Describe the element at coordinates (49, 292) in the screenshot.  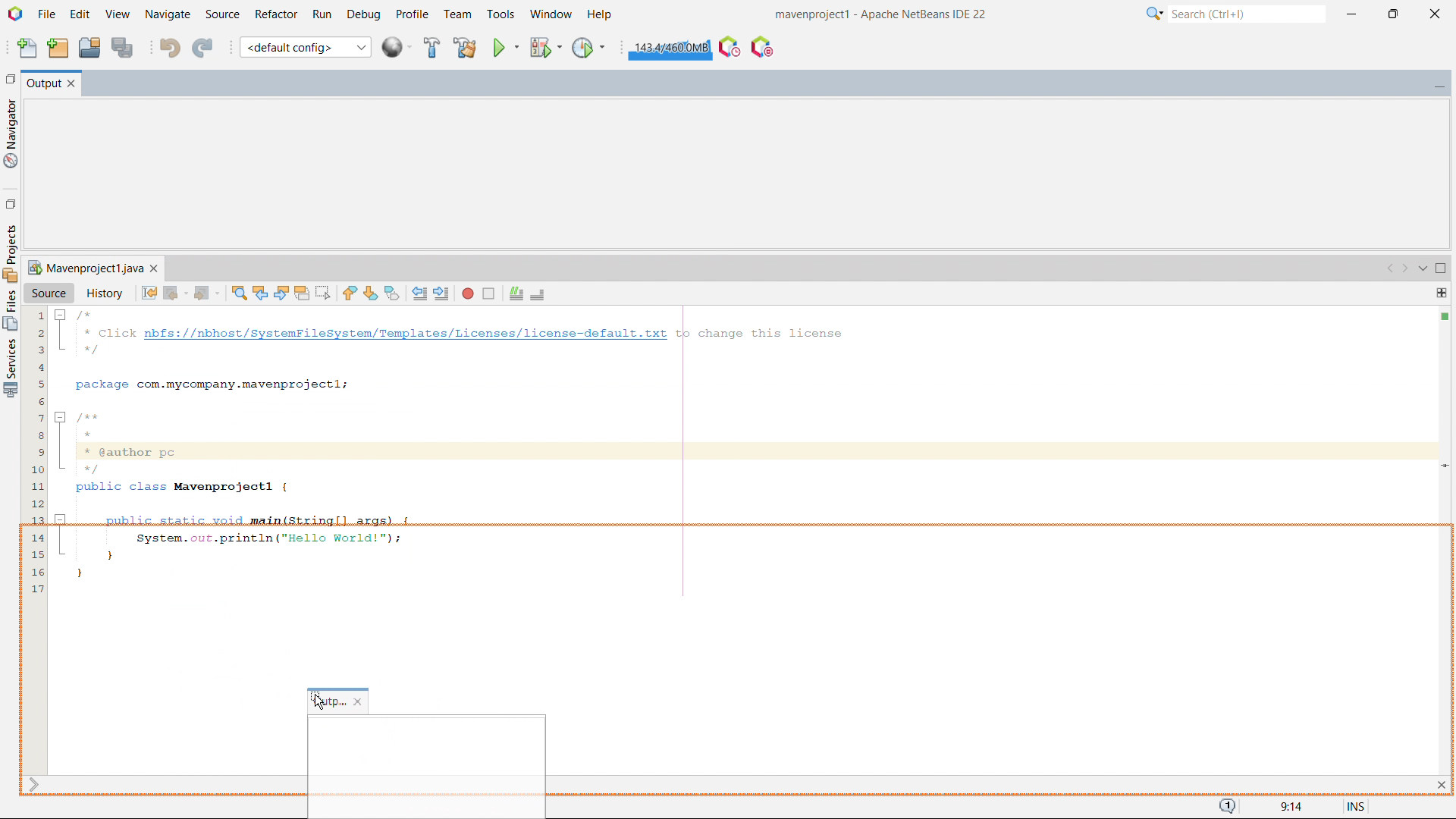
I see `source` at that location.